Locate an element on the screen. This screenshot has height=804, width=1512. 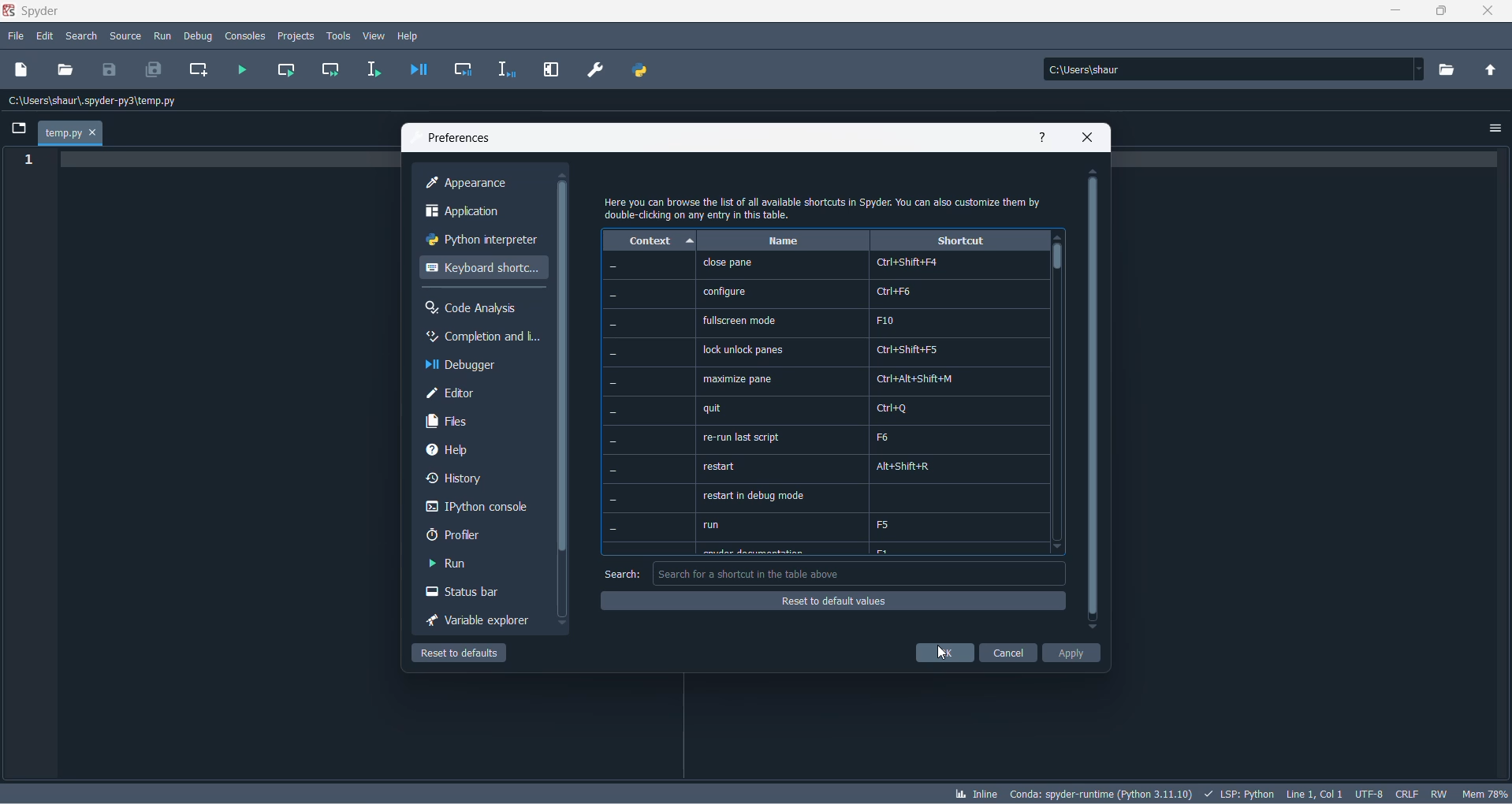
create new cell is located at coordinates (196, 70).